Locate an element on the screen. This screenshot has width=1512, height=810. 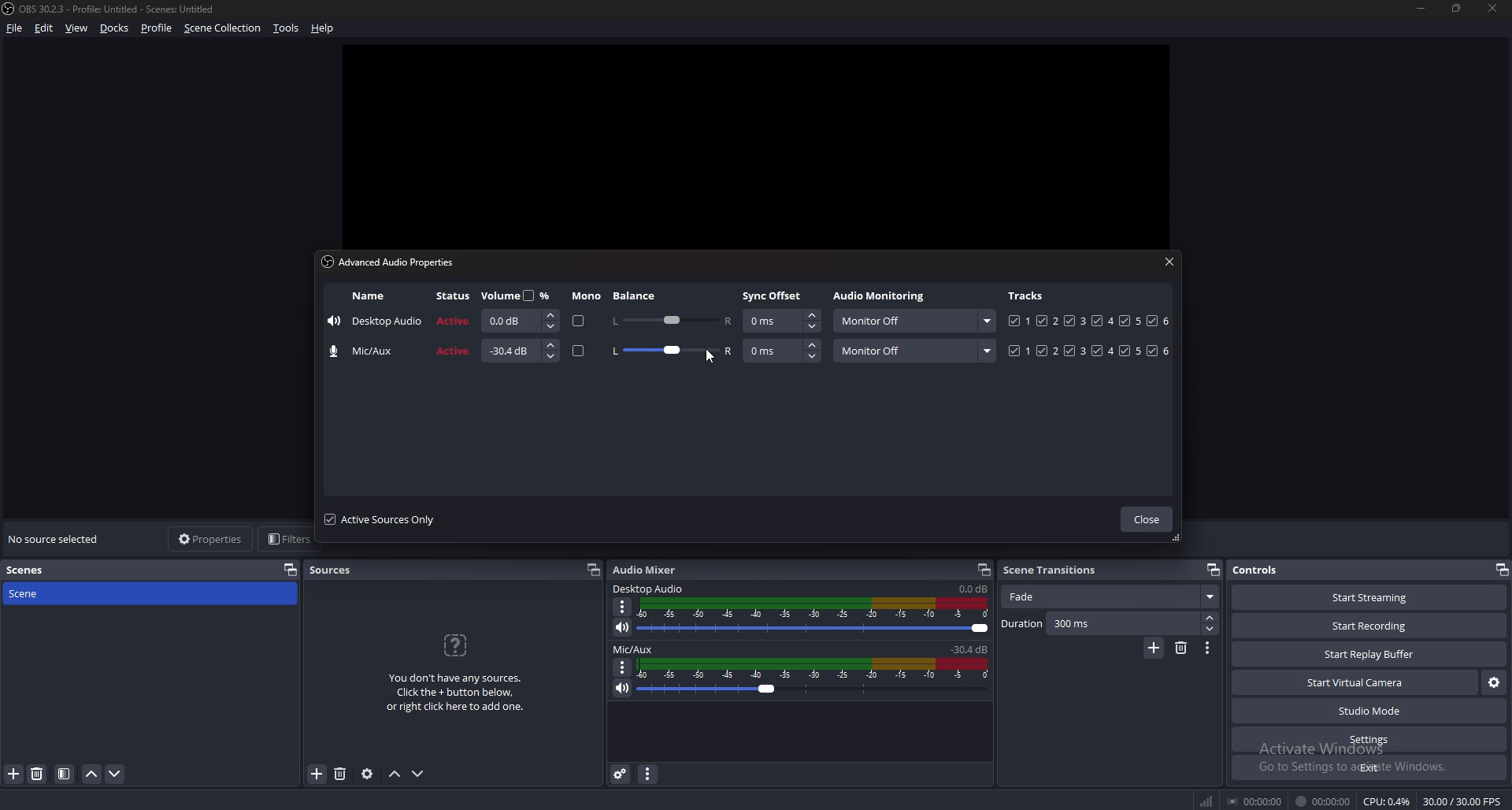
resize is located at coordinates (1458, 9).